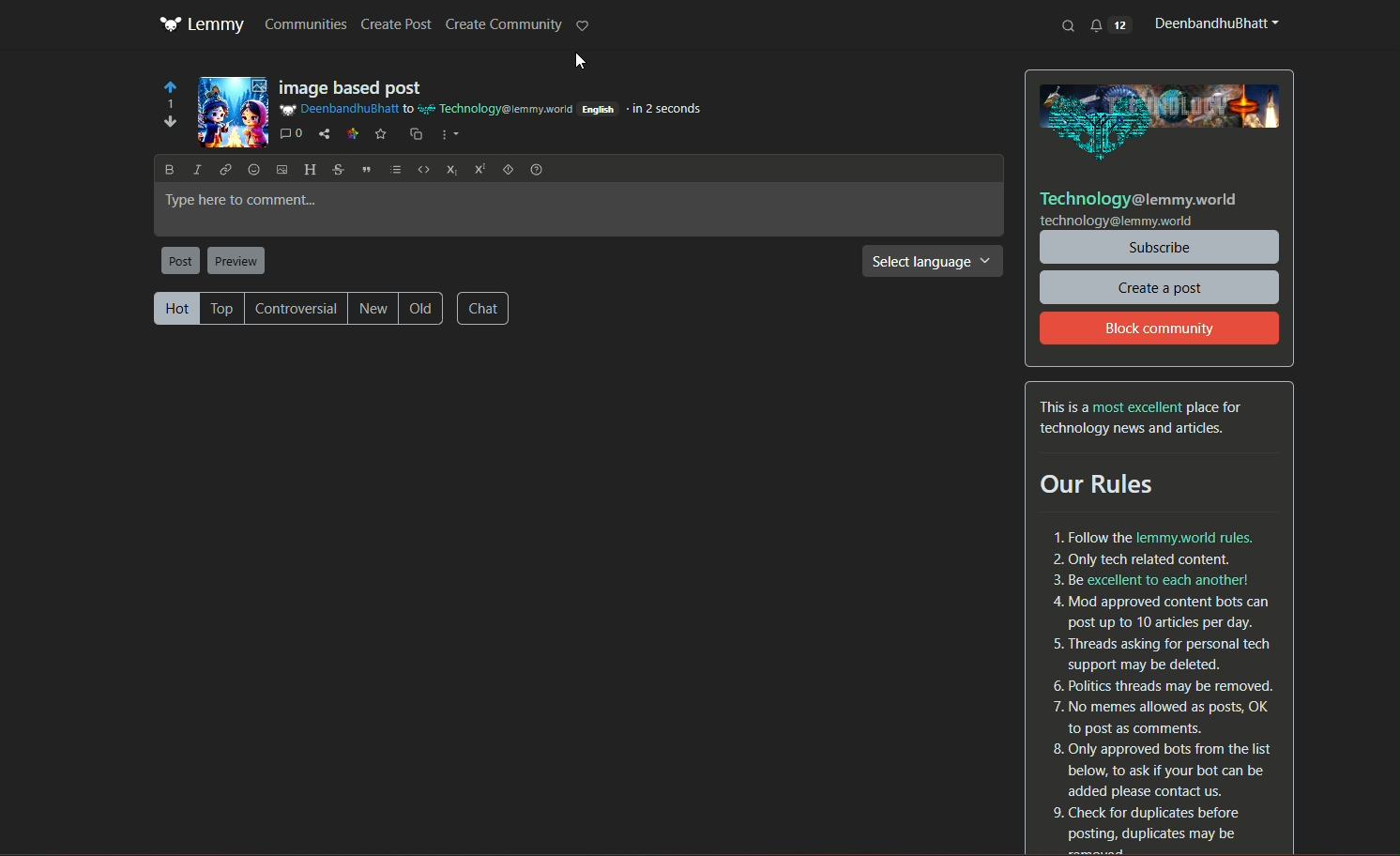  I want to click on create community, so click(503, 25).